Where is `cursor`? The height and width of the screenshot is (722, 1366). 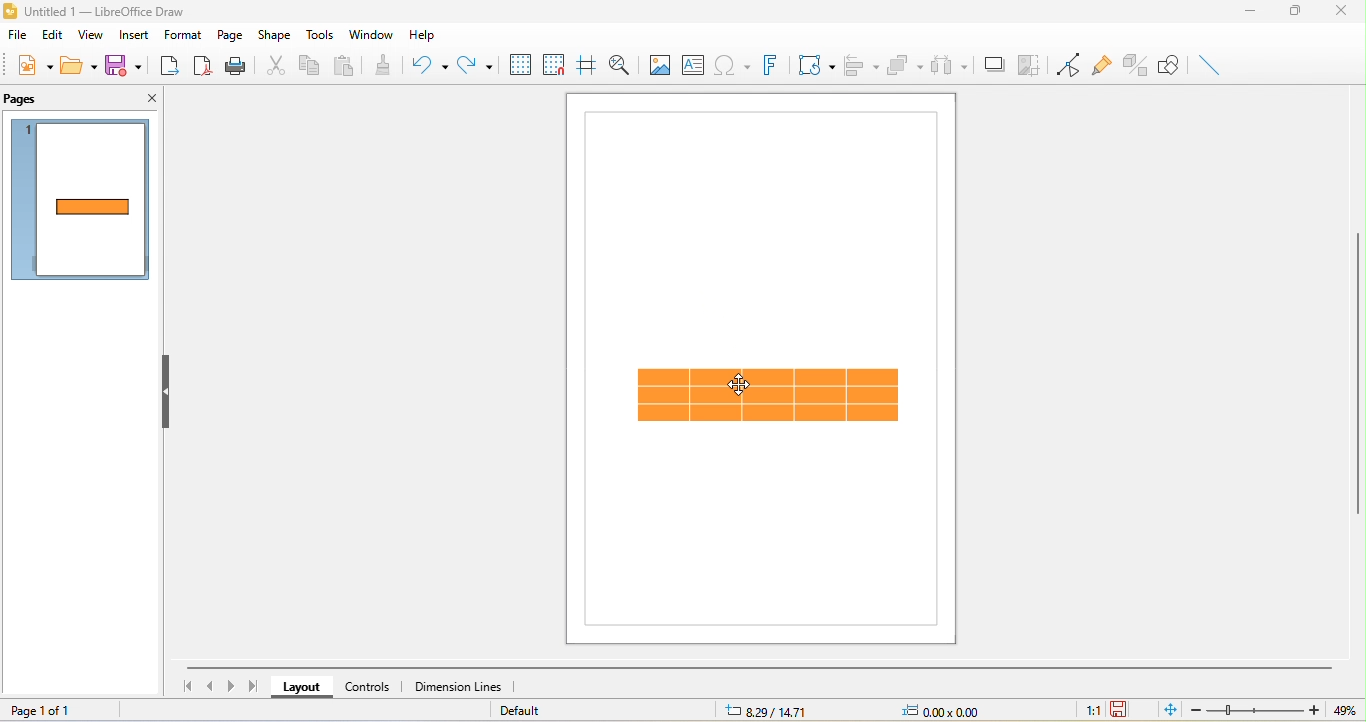
cursor is located at coordinates (733, 384).